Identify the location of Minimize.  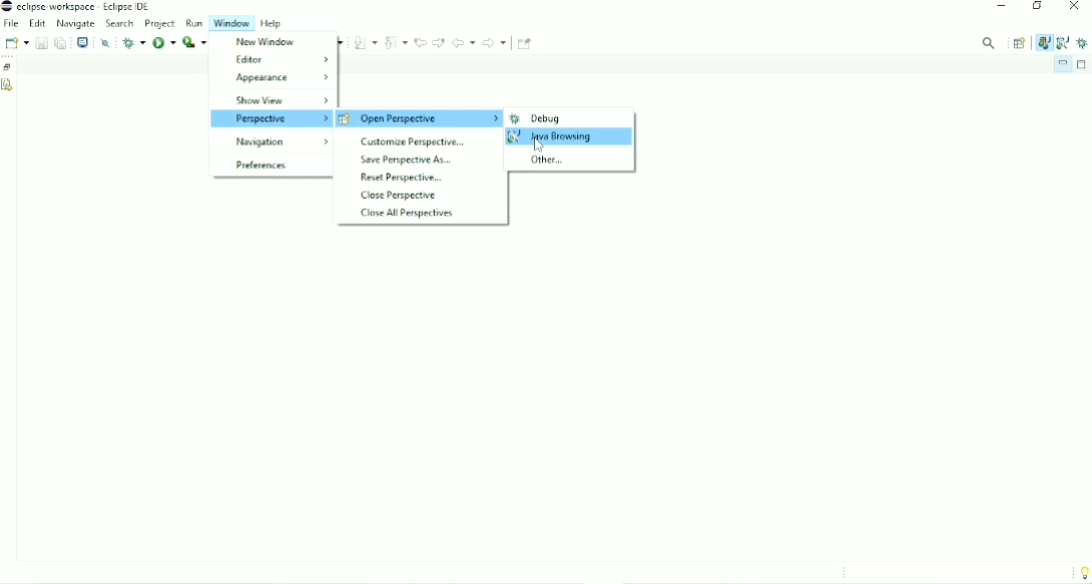
(1001, 8).